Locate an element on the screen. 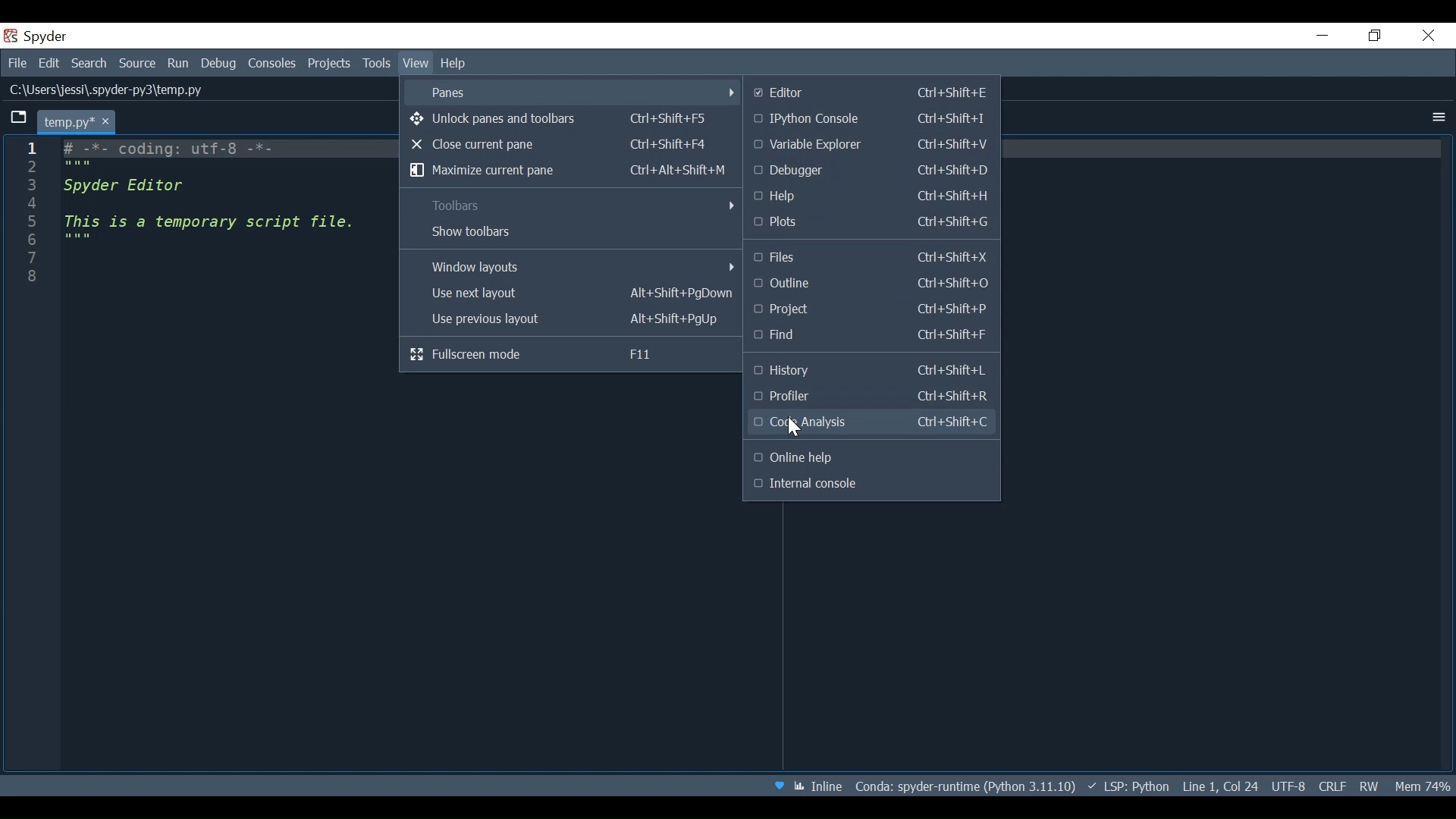  Tools is located at coordinates (377, 64).